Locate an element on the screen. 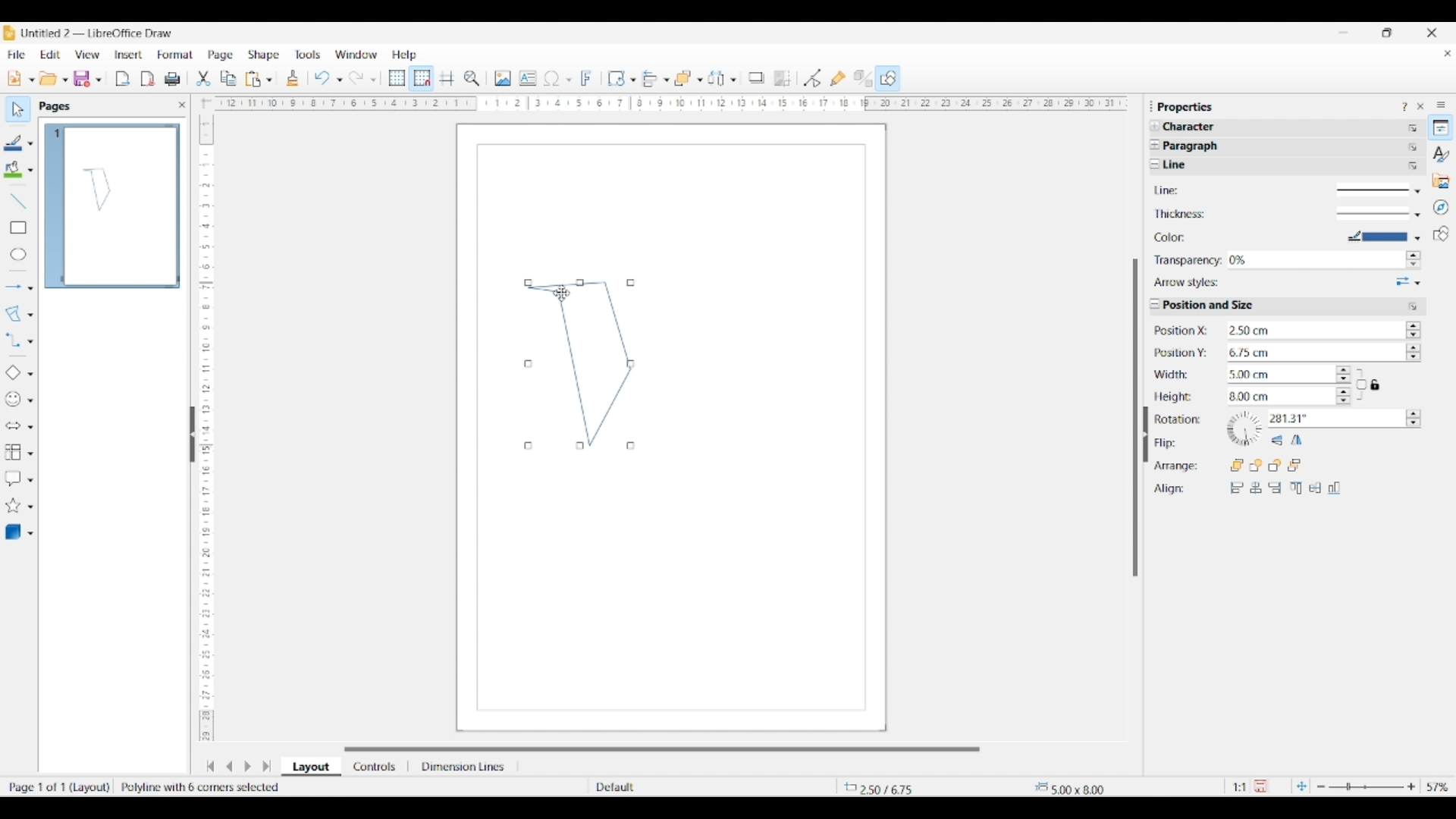 The image size is (1456, 819). Selected open options is located at coordinates (49, 79).